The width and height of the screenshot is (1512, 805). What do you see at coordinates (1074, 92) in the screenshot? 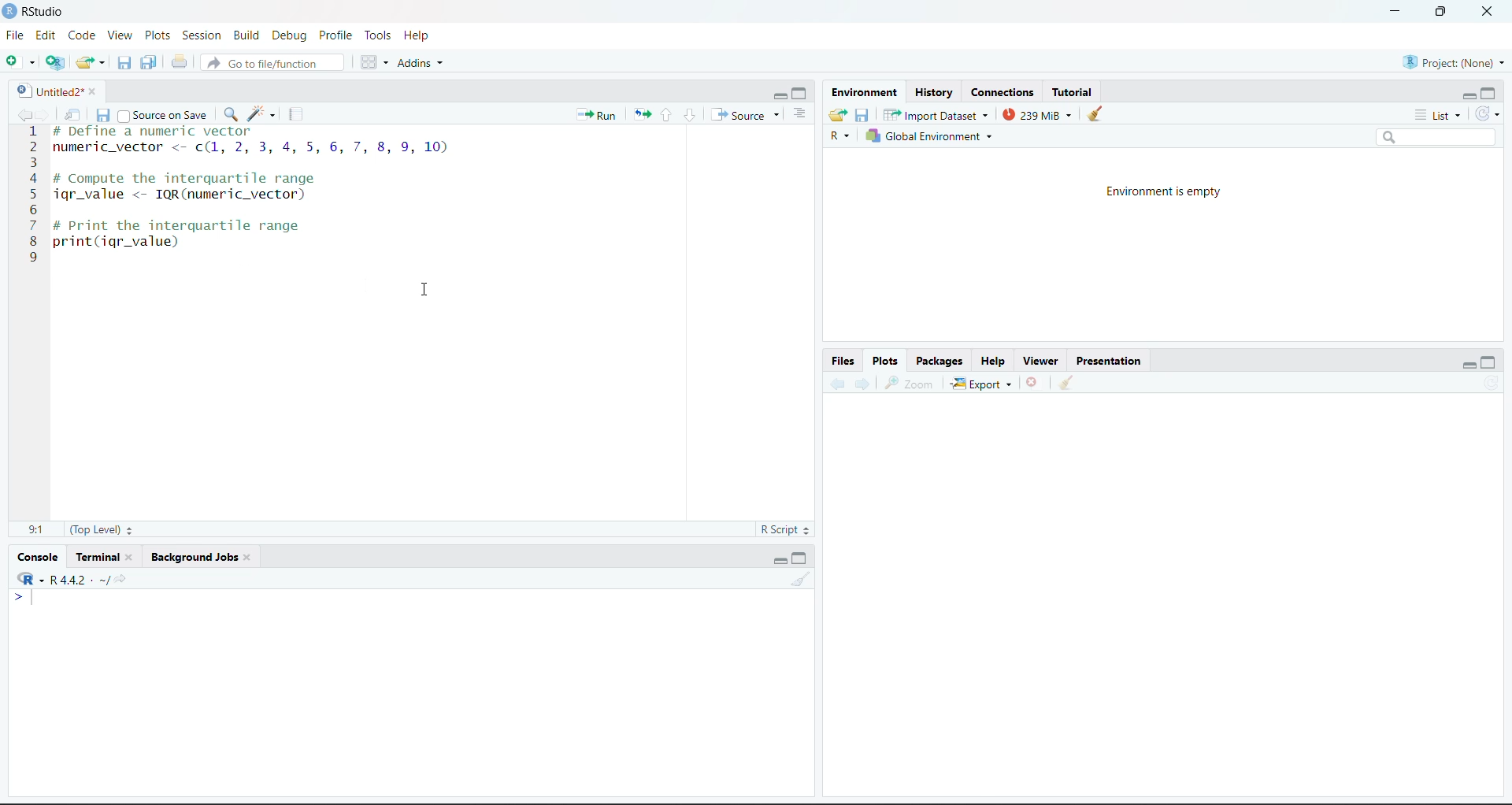
I see `Tutorial` at bounding box center [1074, 92].